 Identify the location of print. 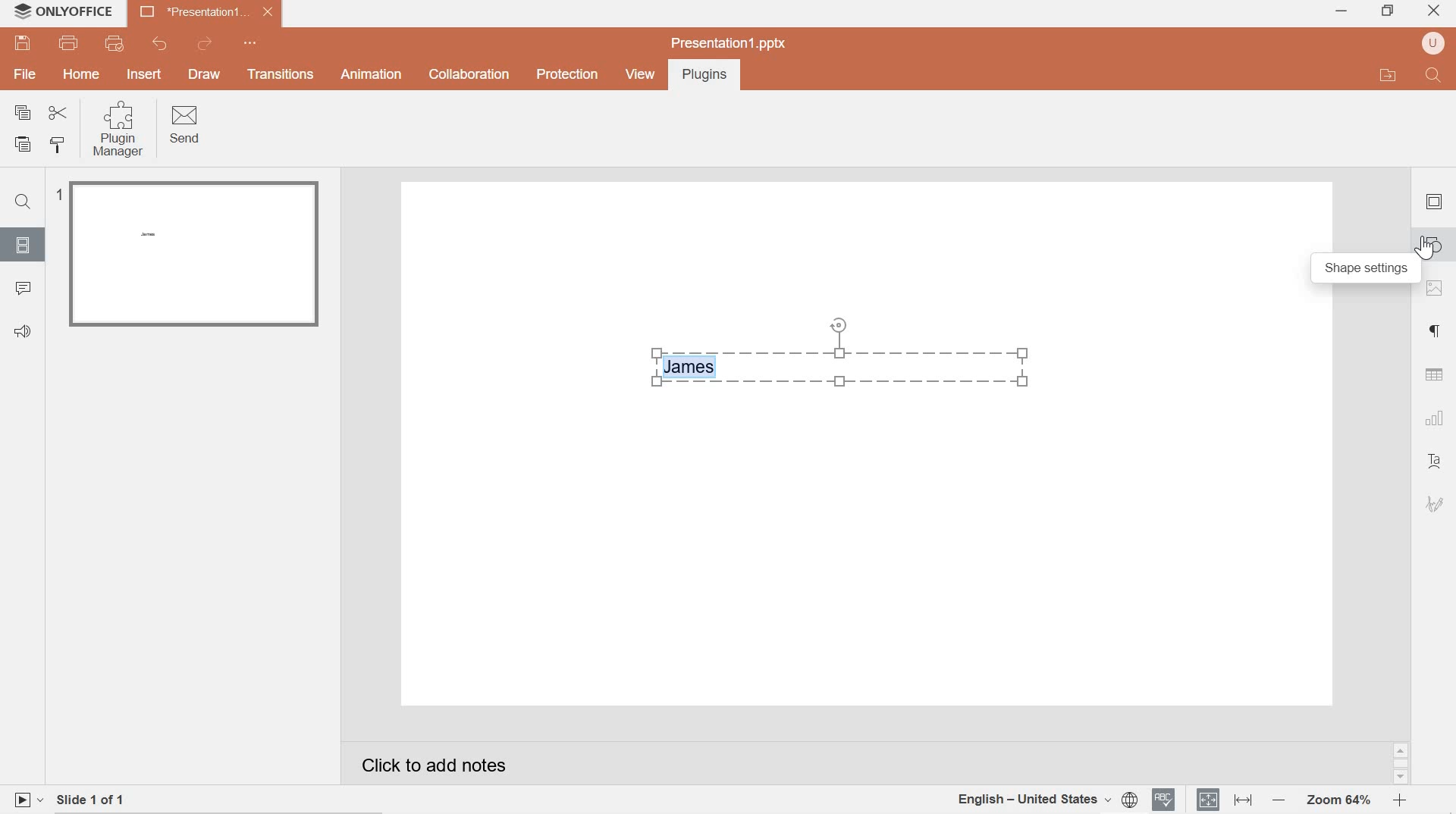
(71, 44).